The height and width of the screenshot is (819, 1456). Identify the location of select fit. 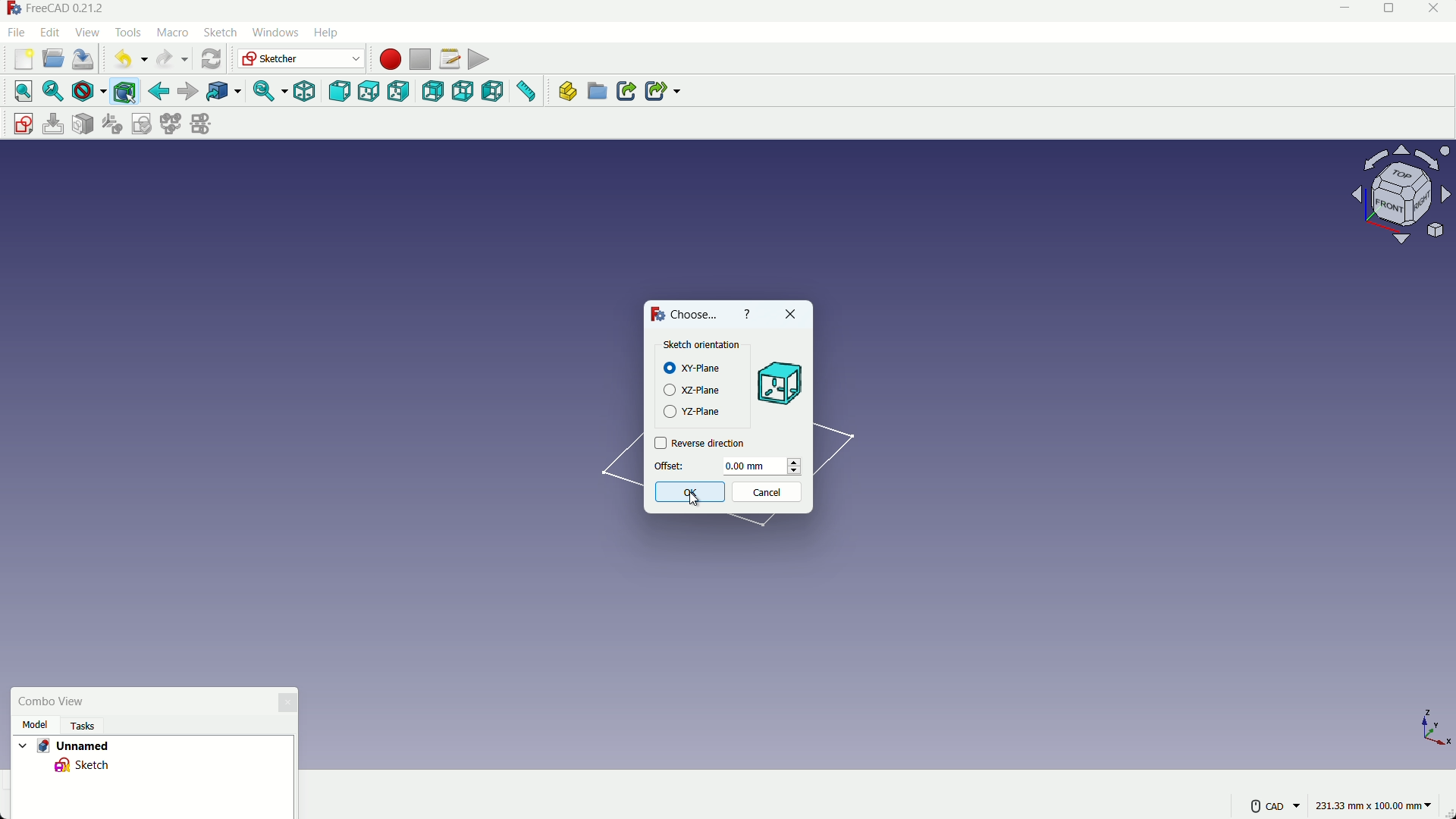
(52, 91).